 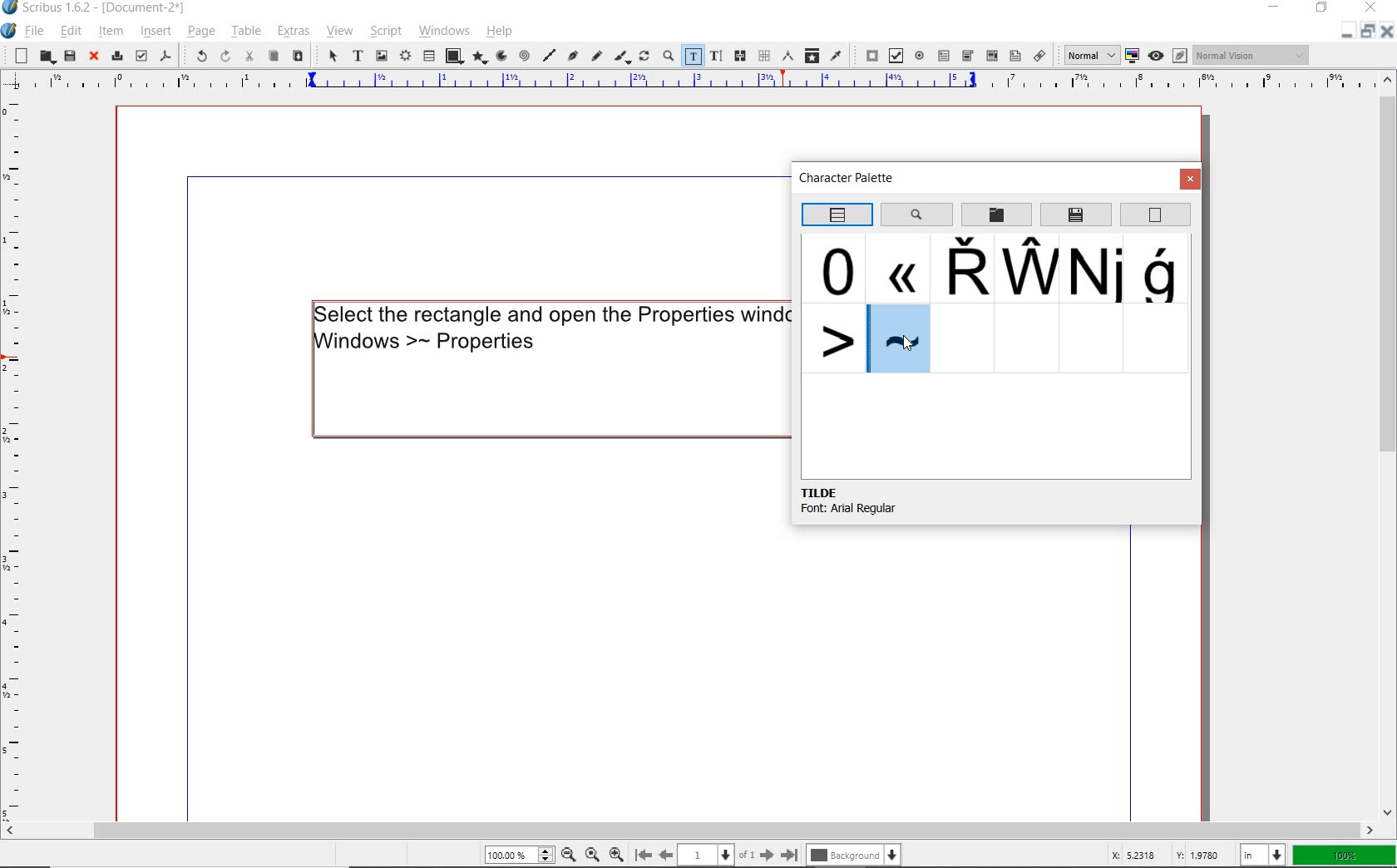 I want to click on link annotation, so click(x=1040, y=55).